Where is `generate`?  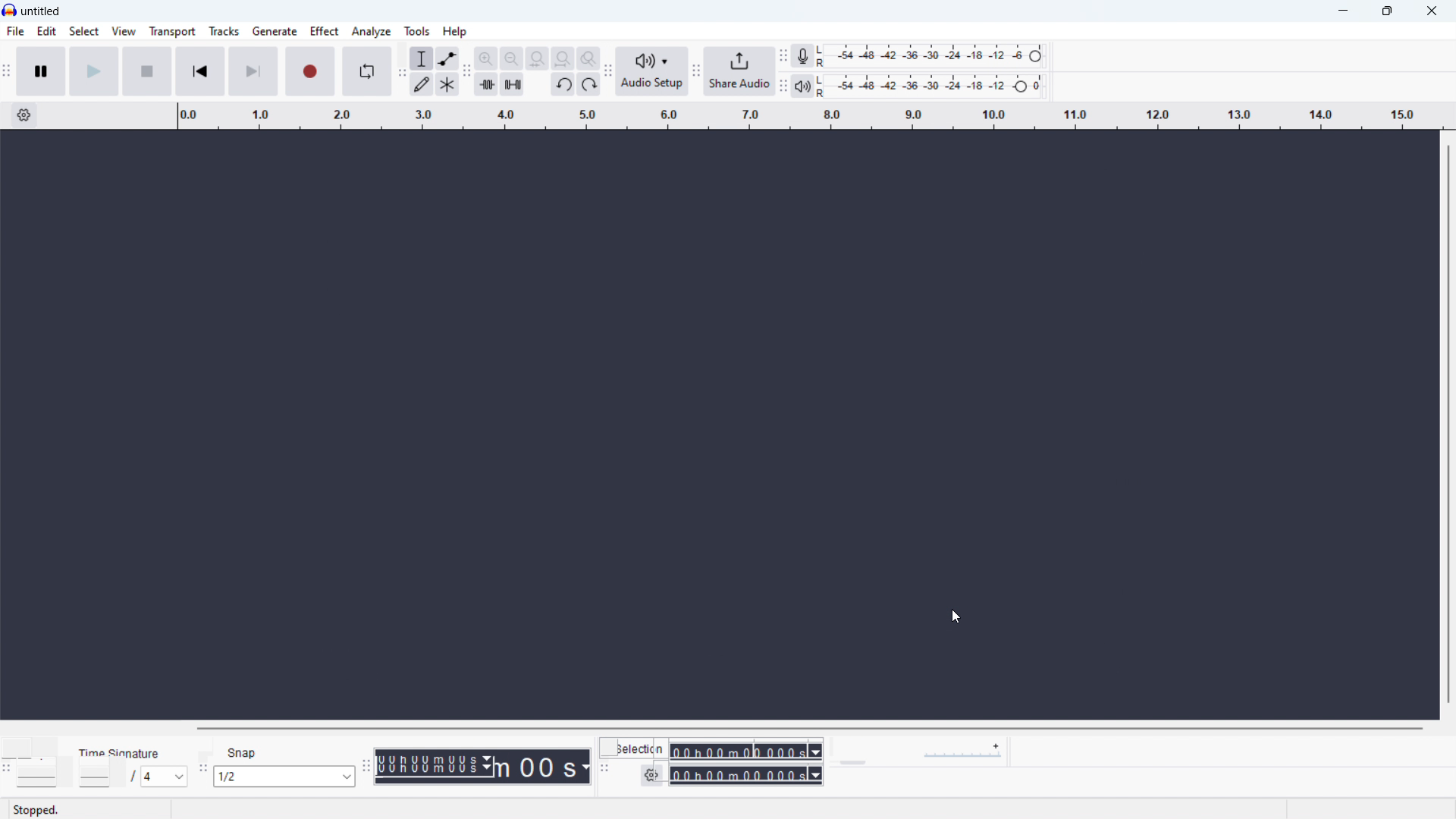 generate is located at coordinates (275, 31).